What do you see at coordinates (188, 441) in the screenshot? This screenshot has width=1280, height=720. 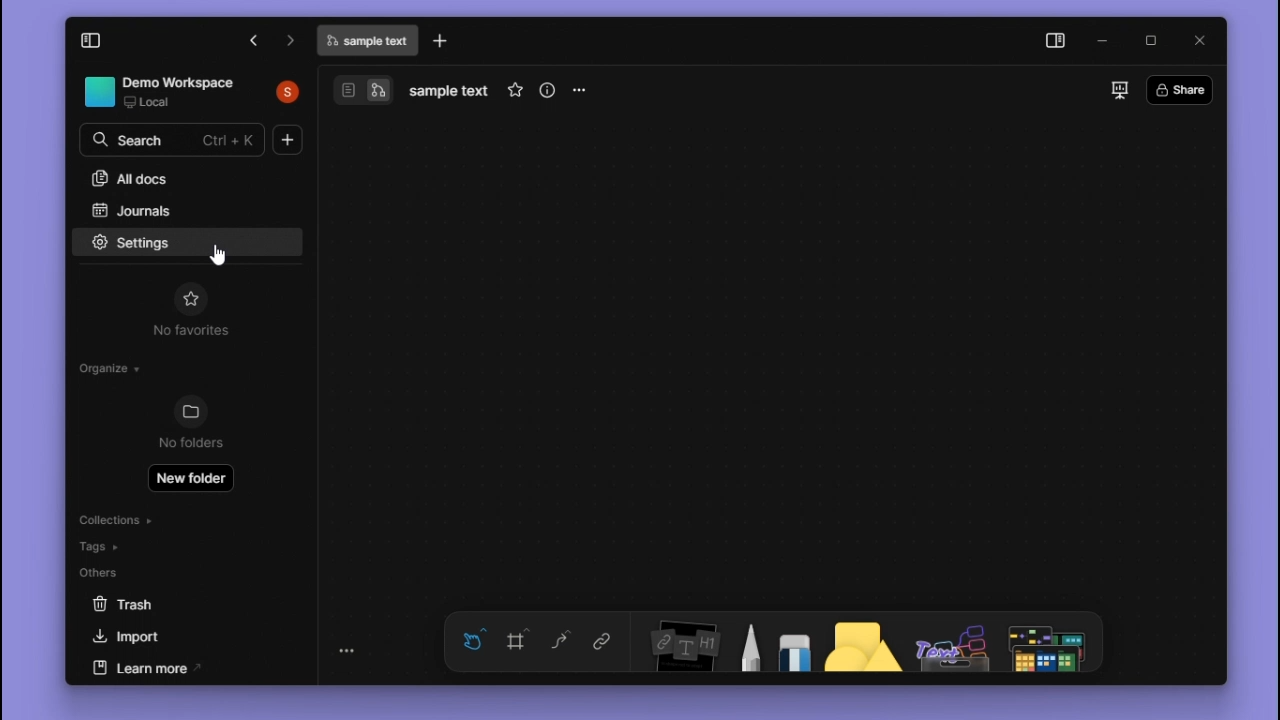 I see `no folders` at bounding box center [188, 441].